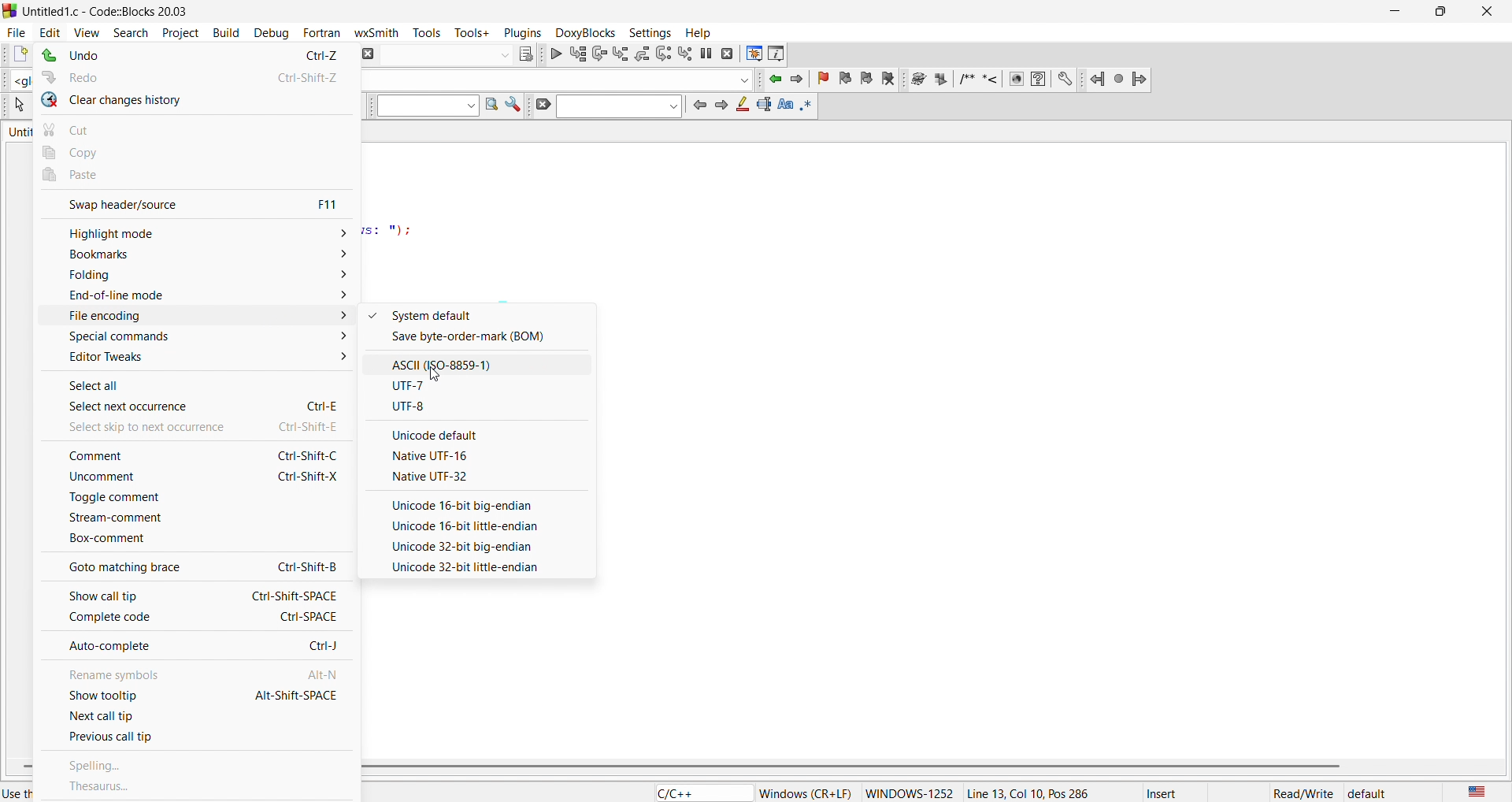 This screenshot has width=1512, height=802. Describe the element at coordinates (702, 793) in the screenshot. I see `C/C++` at that location.